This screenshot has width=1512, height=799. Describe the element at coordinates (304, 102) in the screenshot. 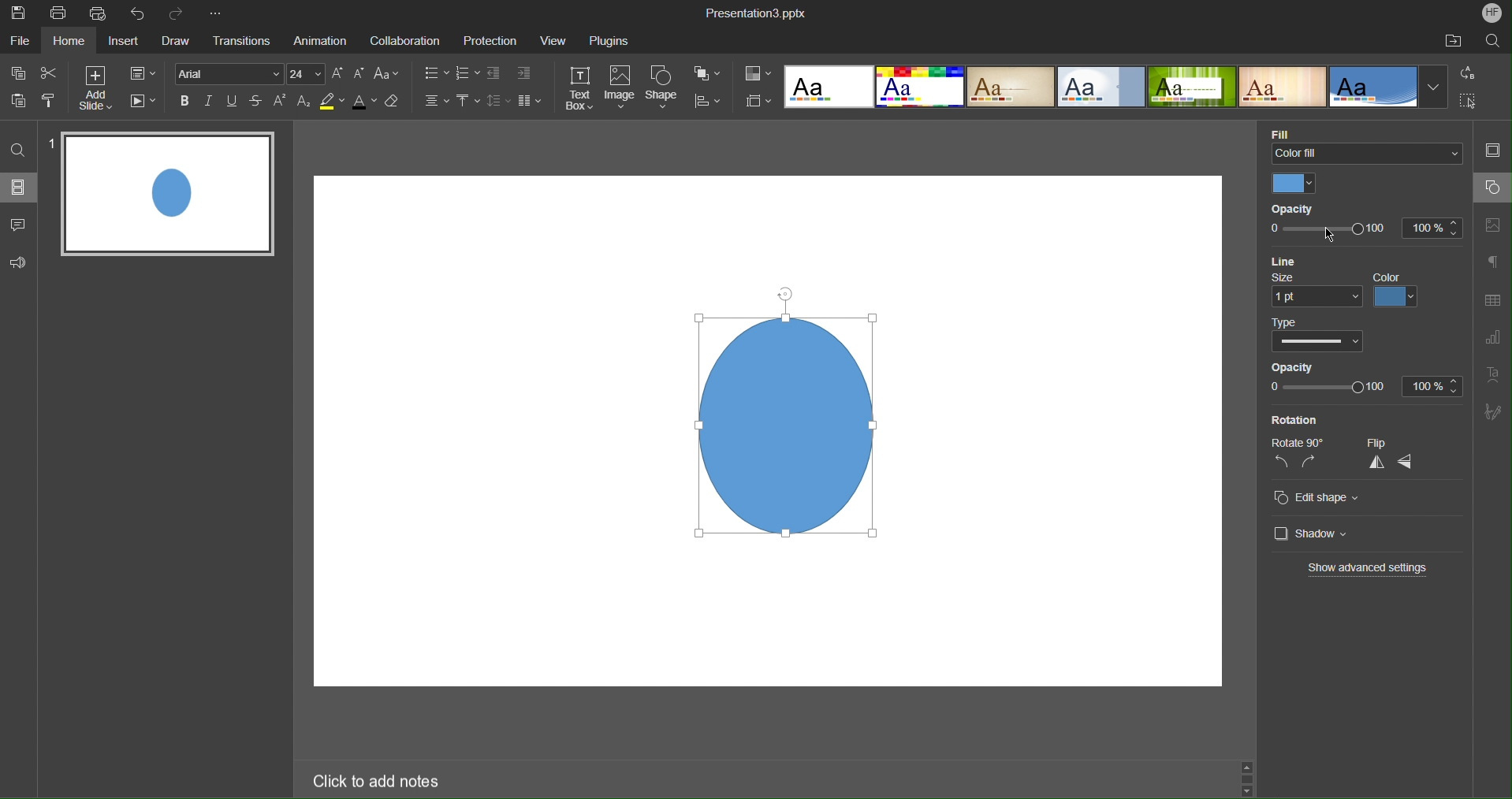

I see `Subscript` at that location.